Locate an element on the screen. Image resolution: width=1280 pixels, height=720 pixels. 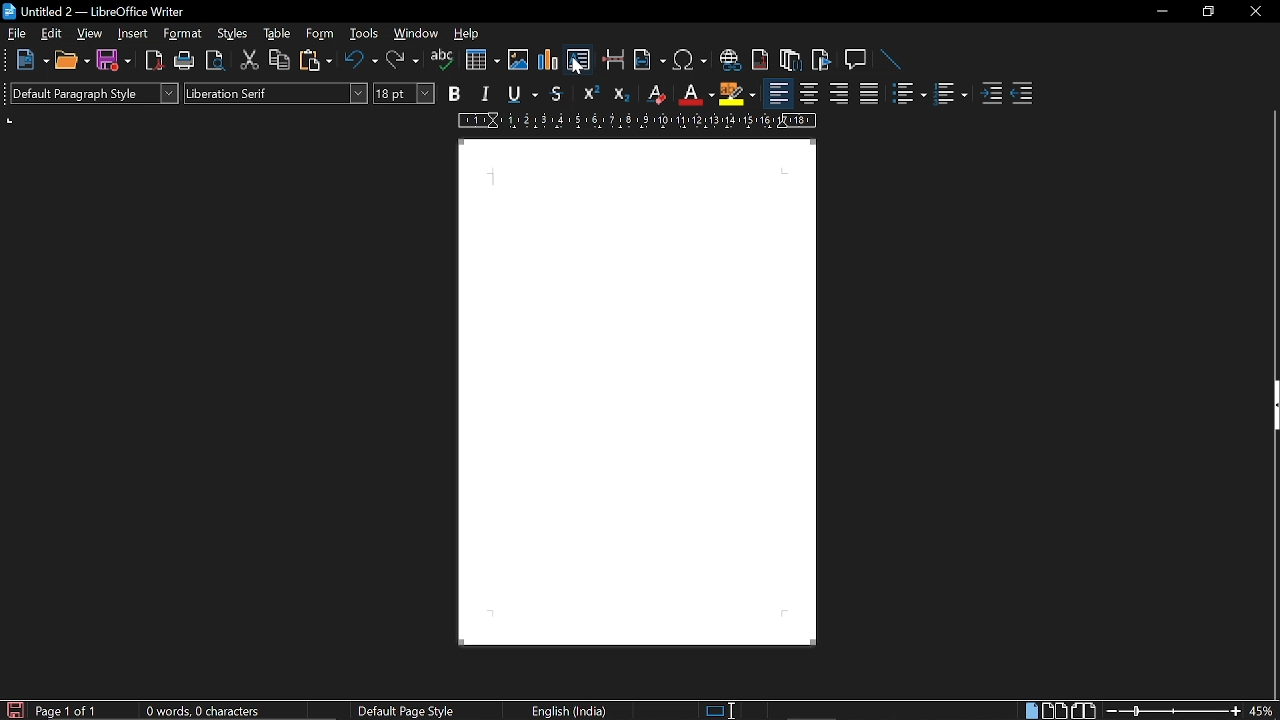
paragraph style is located at coordinates (94, 92).